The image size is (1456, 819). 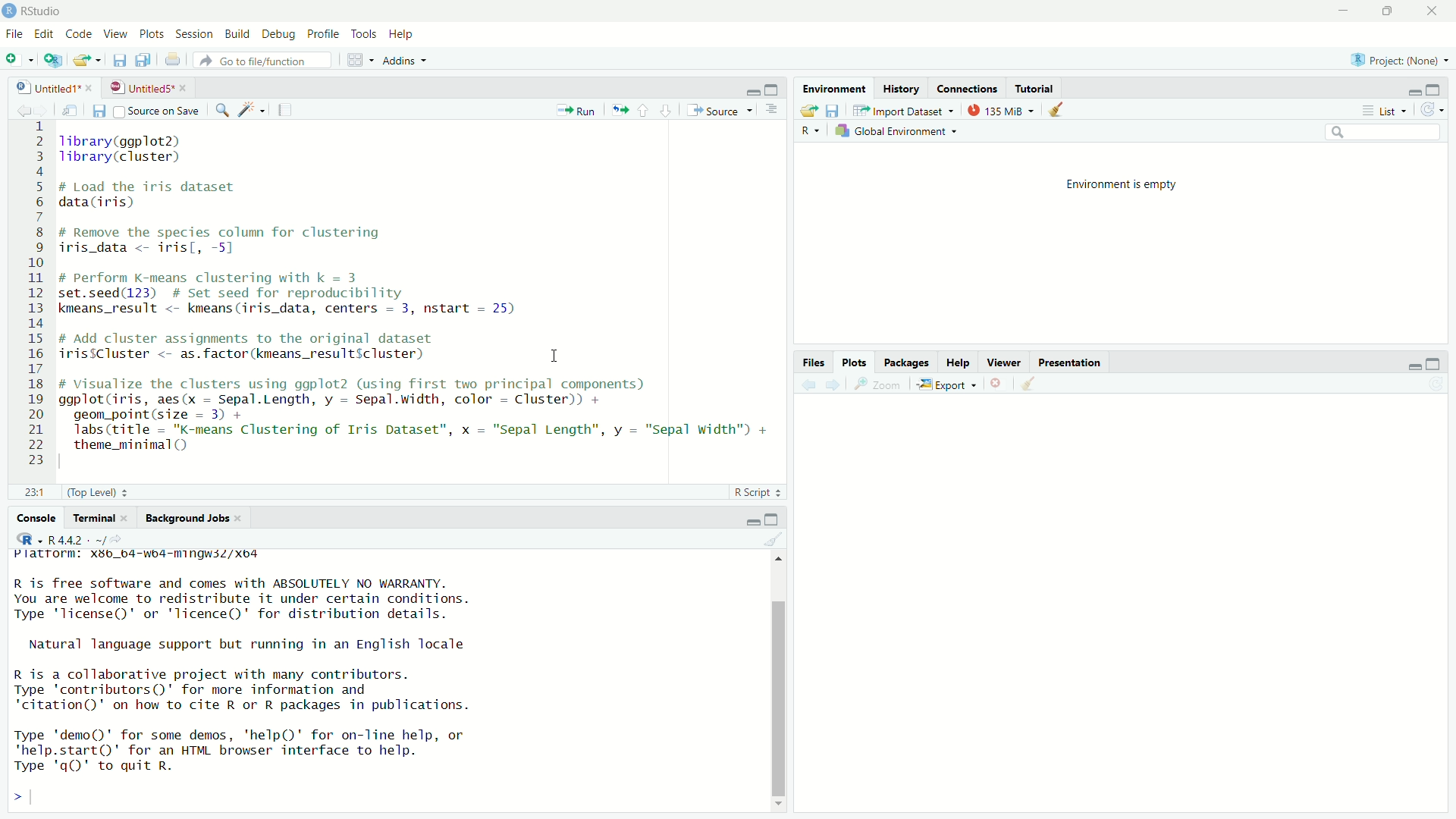 What do you see at coordinates (285, 111) in the screenshot?
I see `compile report` at bounding box center [285, 111].